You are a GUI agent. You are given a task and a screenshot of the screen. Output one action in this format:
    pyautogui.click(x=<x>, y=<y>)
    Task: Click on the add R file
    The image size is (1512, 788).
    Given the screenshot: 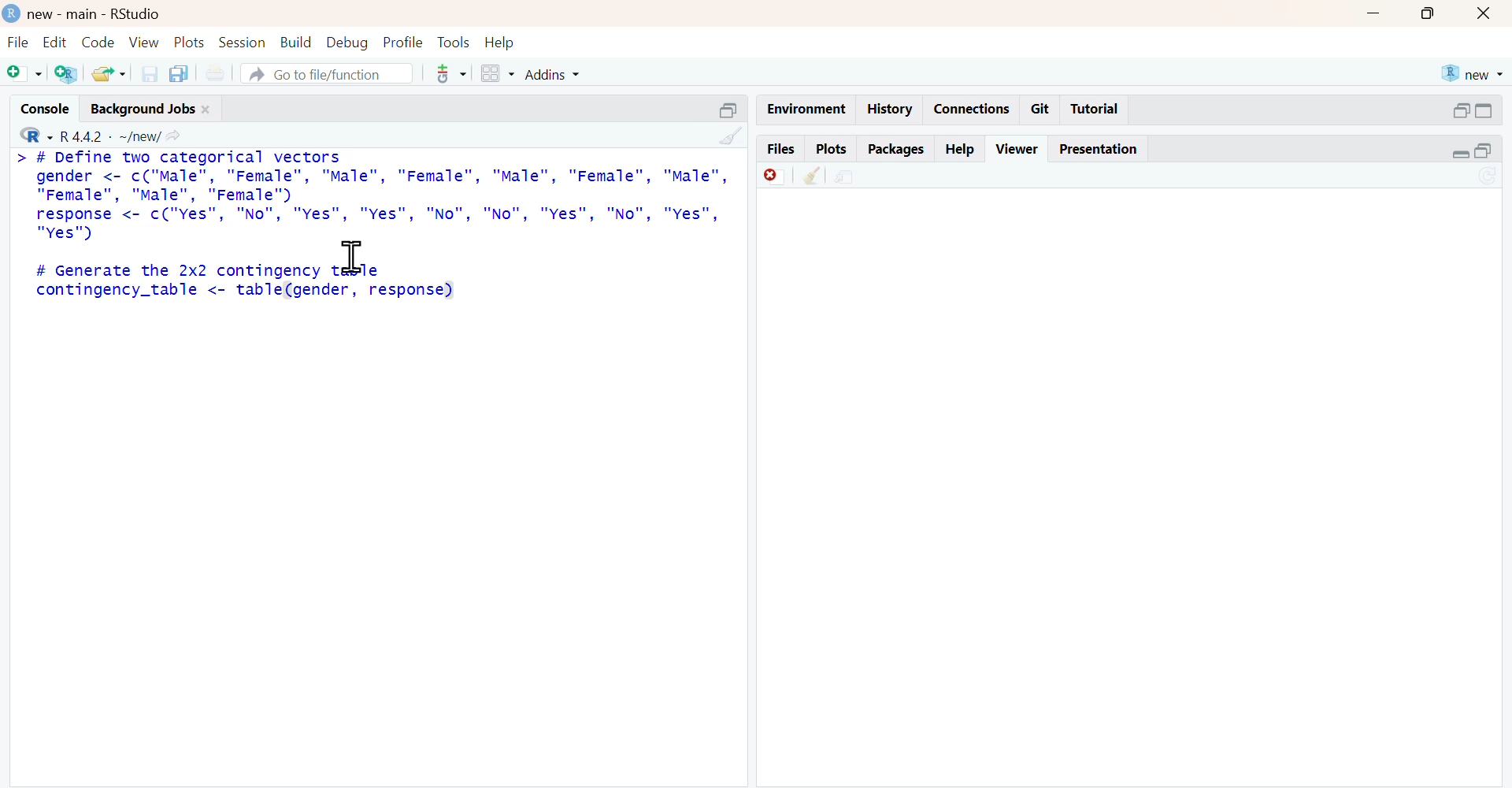 What is the action you would take?
    pyautogui.click(x=69, y=74)
    